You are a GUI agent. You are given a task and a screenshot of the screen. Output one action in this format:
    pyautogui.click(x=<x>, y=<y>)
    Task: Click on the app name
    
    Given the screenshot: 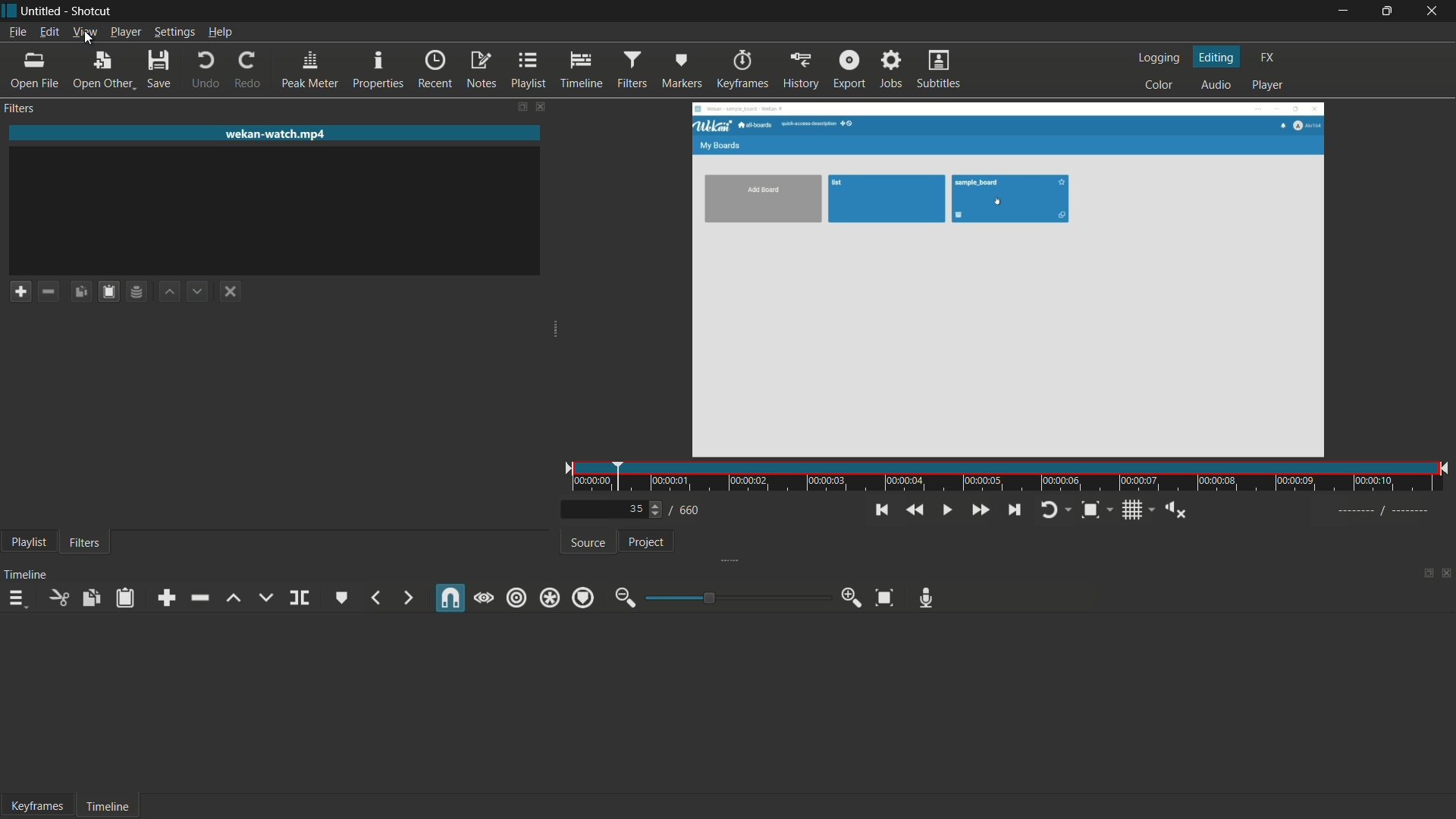 What is the action you would take?
    pyautogui.click(x=93, y=11)
    